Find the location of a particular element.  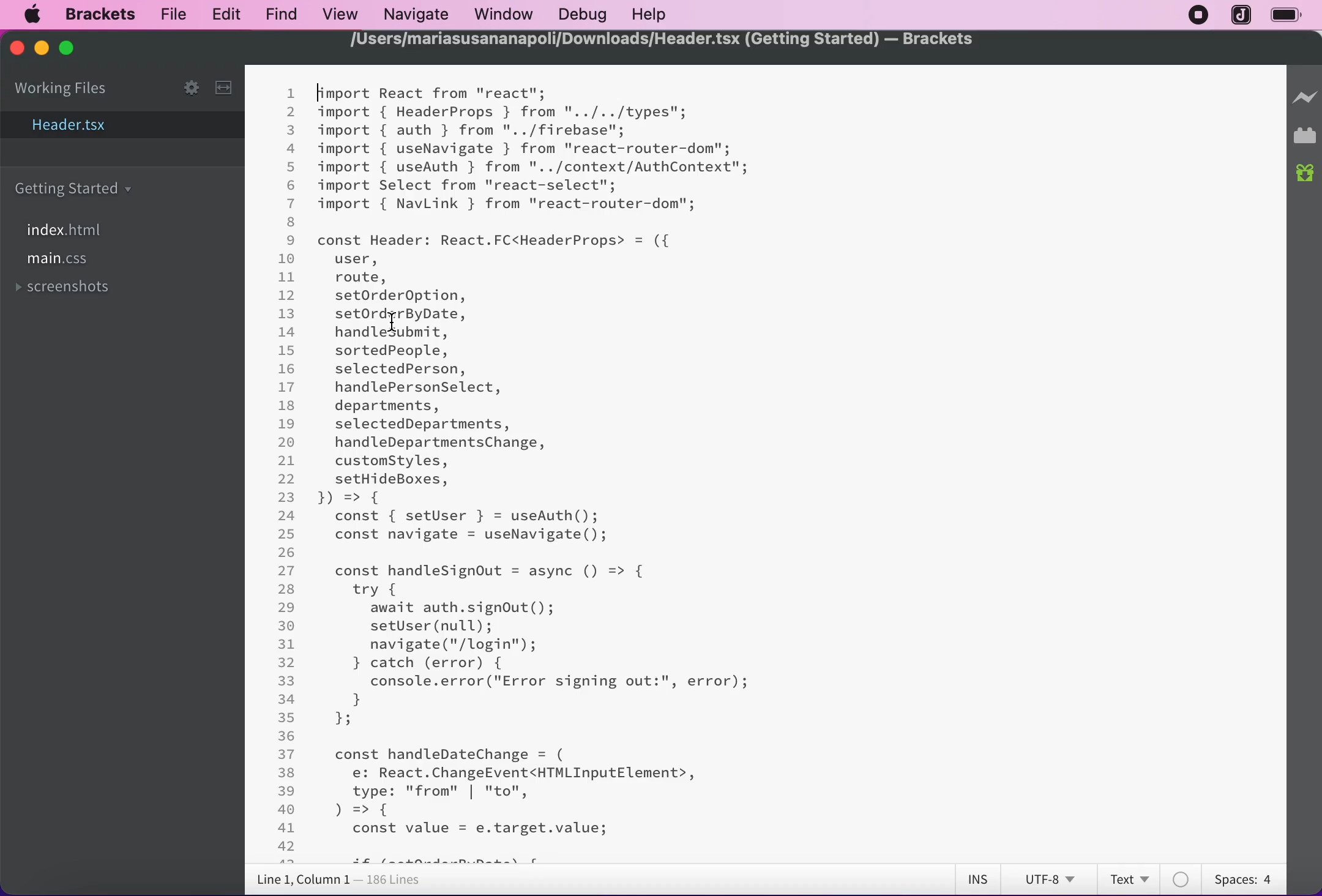

1 is located at coordinates (290, 92).